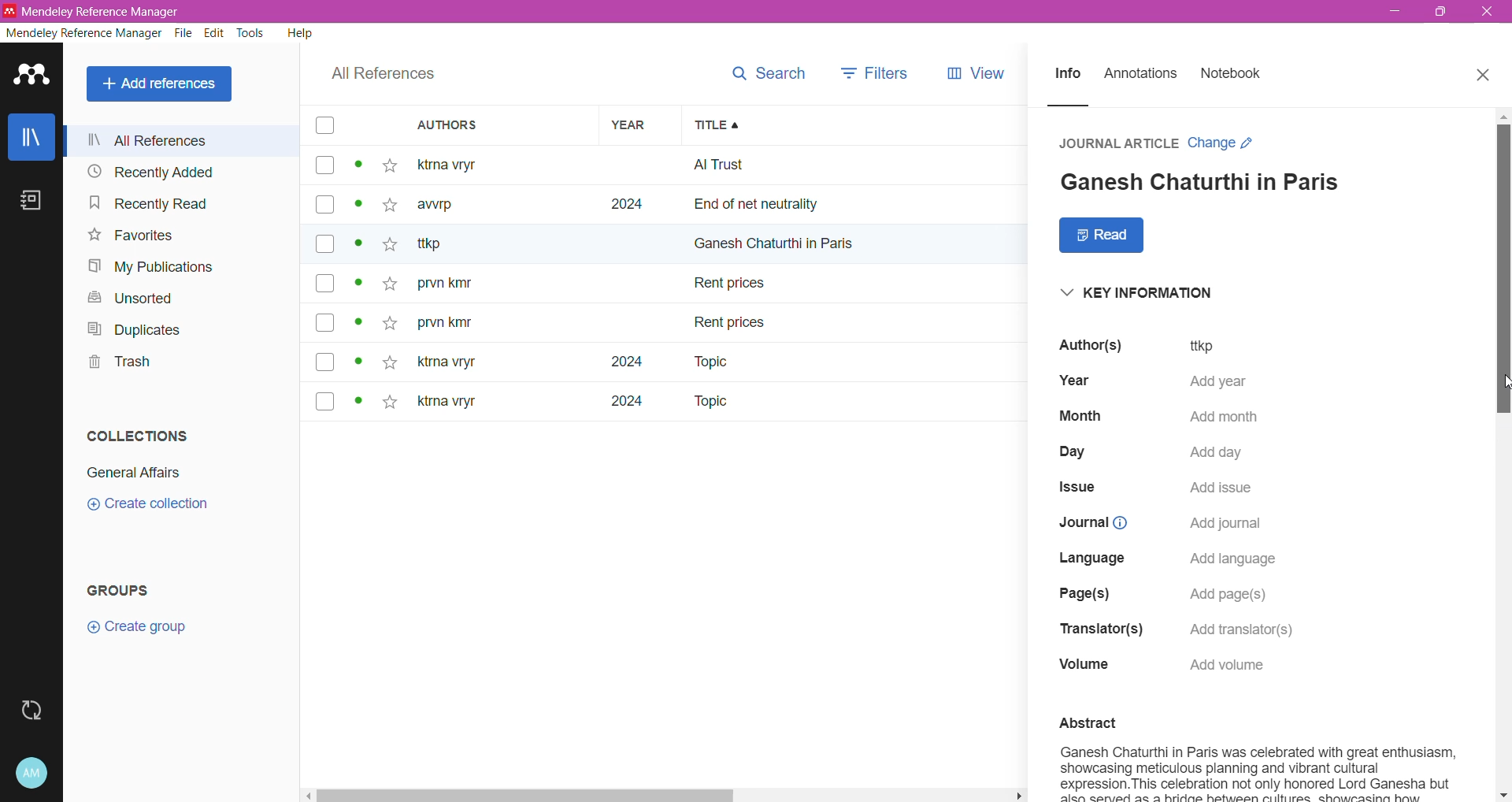 This screenshot has height=802, width=1512. I want to click on Click to add Journal, so click(1227, 525).